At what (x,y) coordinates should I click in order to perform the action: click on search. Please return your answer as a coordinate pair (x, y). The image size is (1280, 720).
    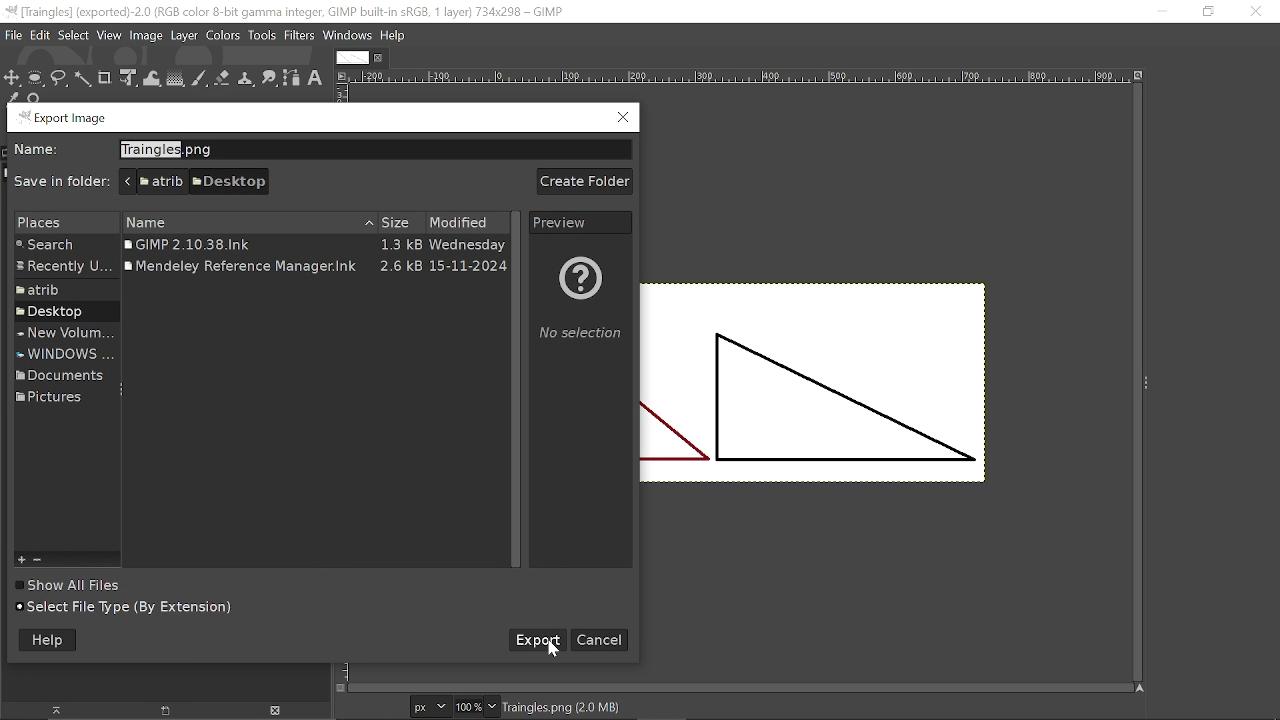
    Looking at the image, I should click on (64, 246).